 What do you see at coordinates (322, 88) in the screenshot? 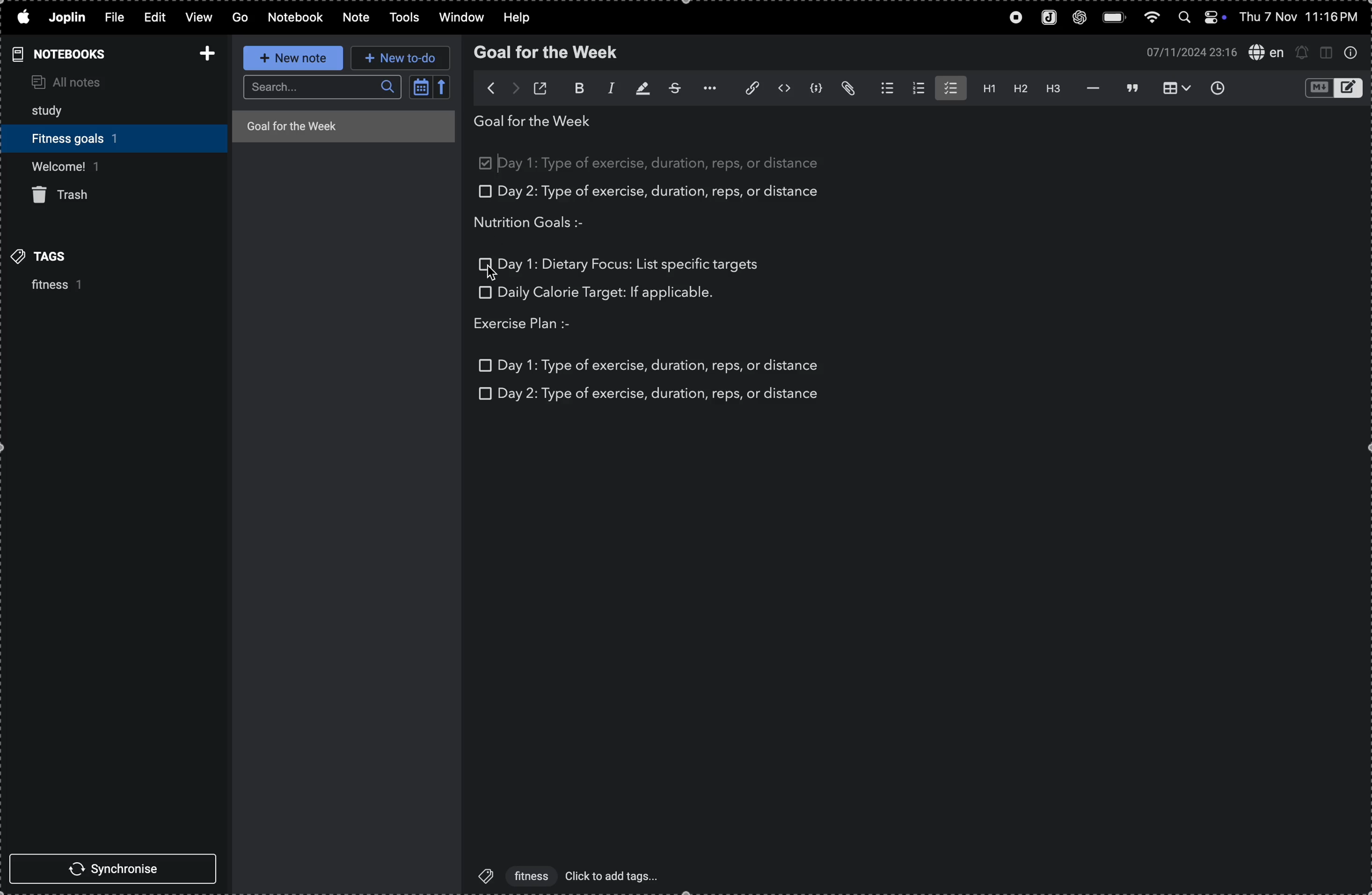
I see `search` at bounding box center [322, 88].